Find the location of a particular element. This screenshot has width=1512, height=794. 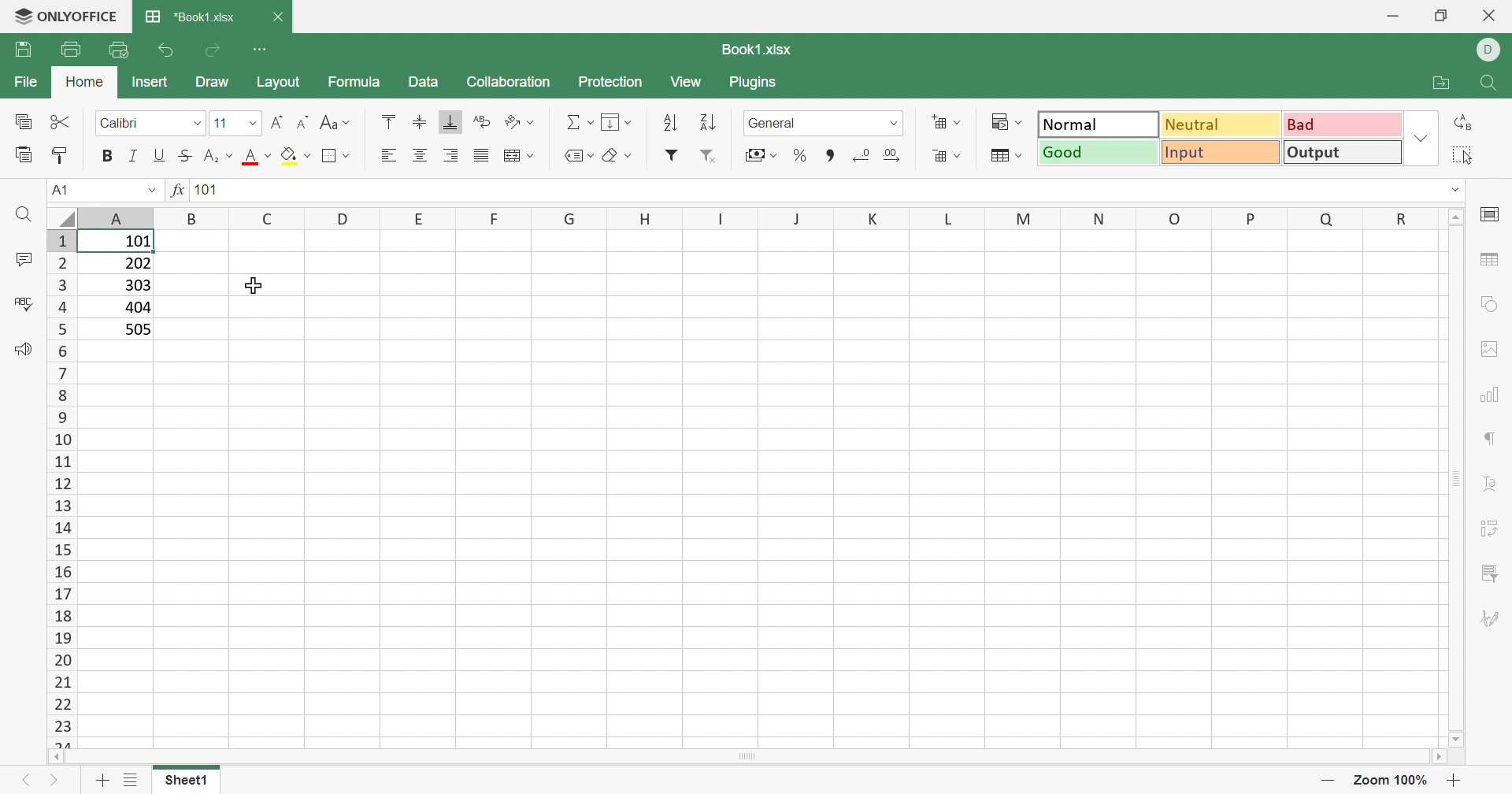

Neutral is located at coordinates (1222, 124).